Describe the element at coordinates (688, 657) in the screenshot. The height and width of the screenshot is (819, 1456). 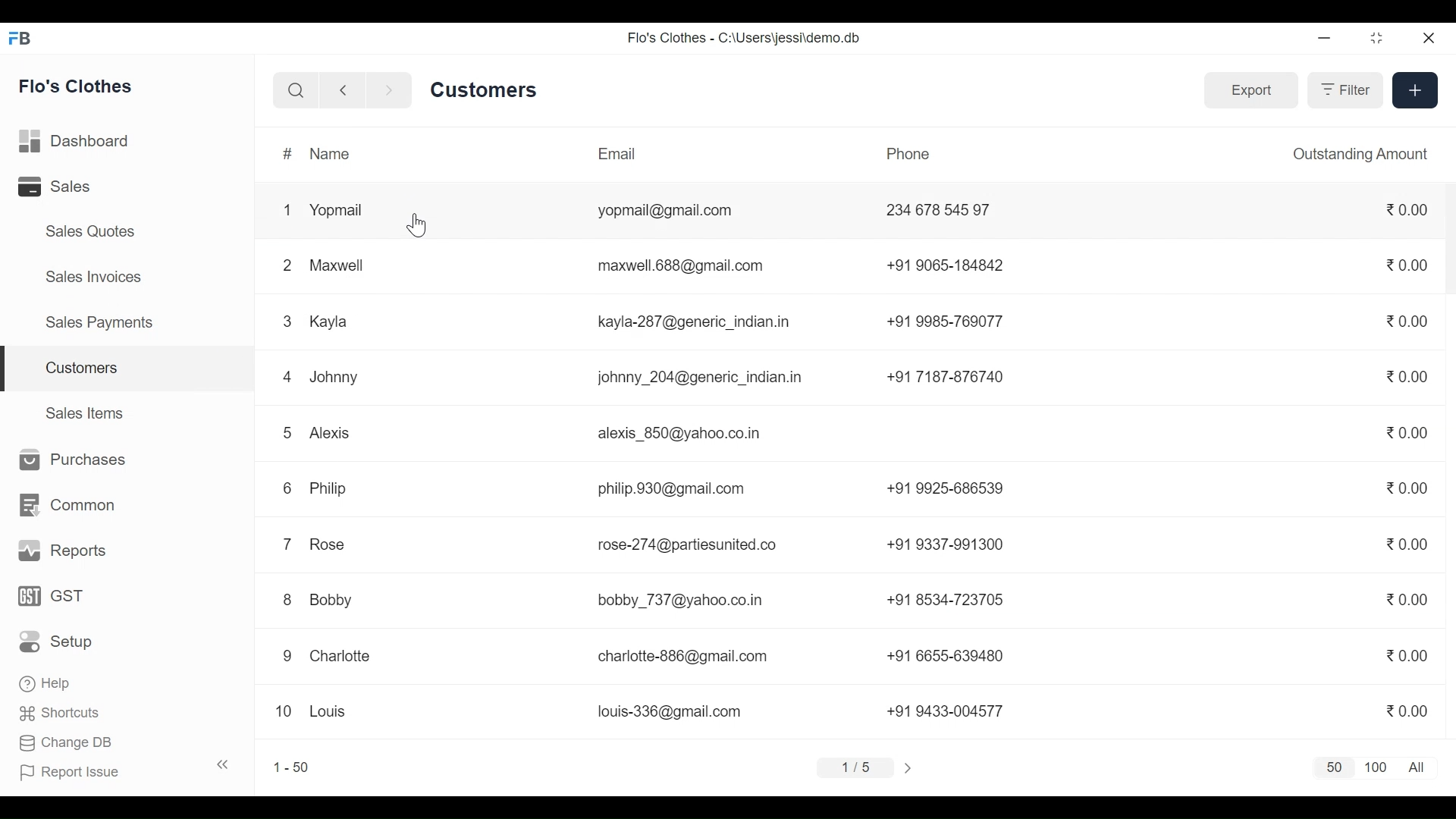
I see `charlotte-886@gmail.com` at that location.